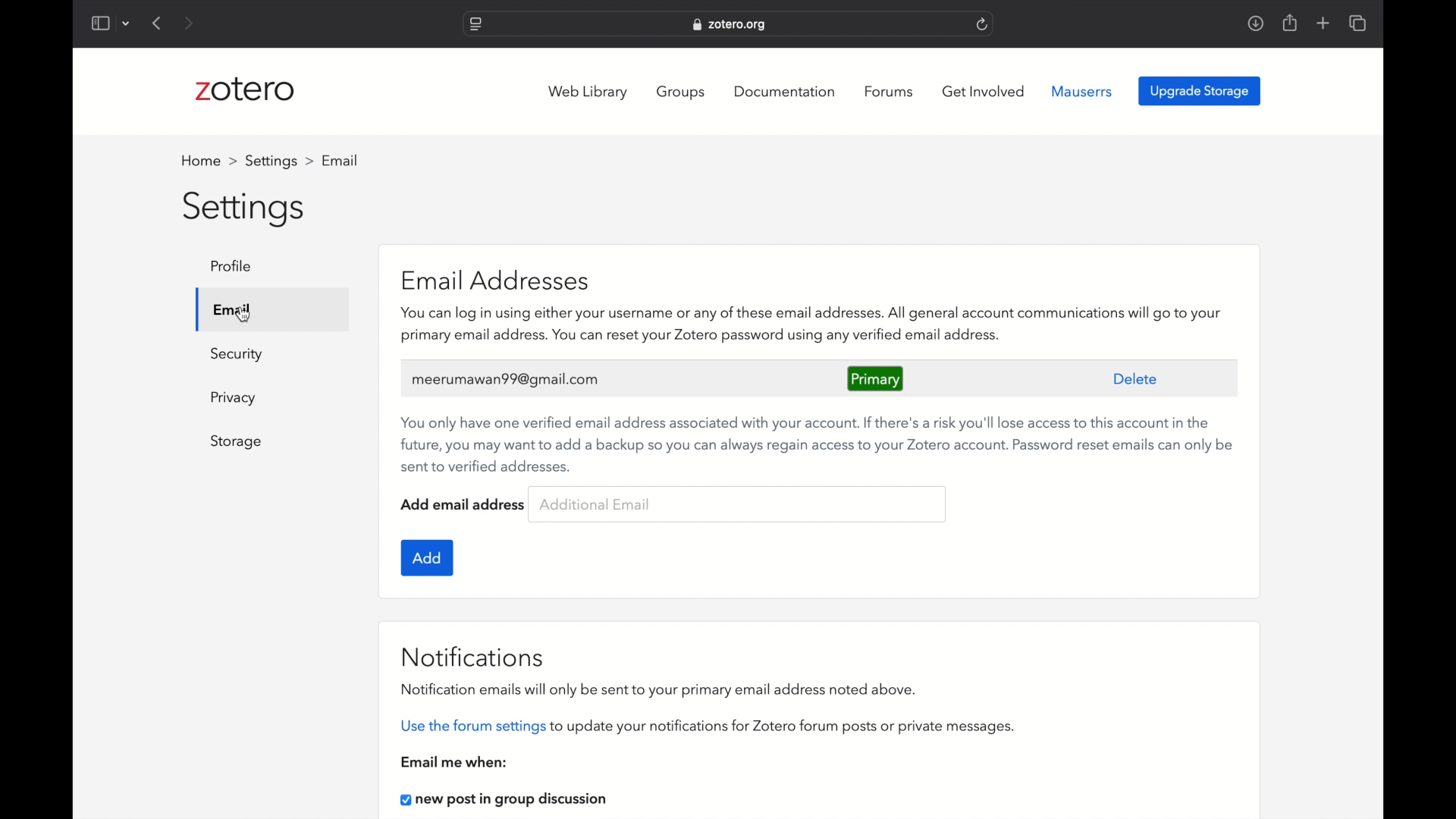  I want to click on new tab, so click(1323, 24).